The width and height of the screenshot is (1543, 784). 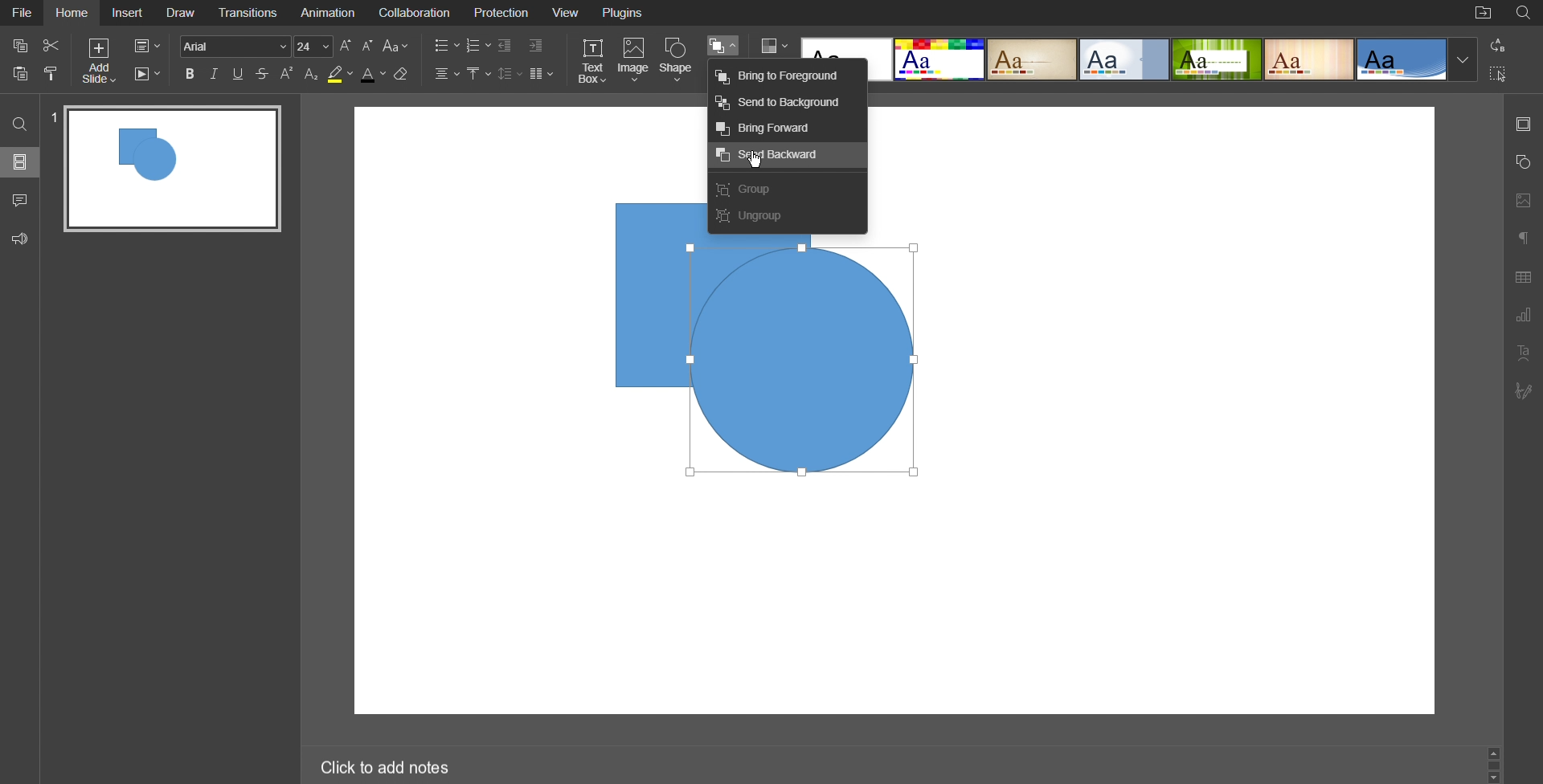 I want to click on Copy Style, so click(x=51, y=75).